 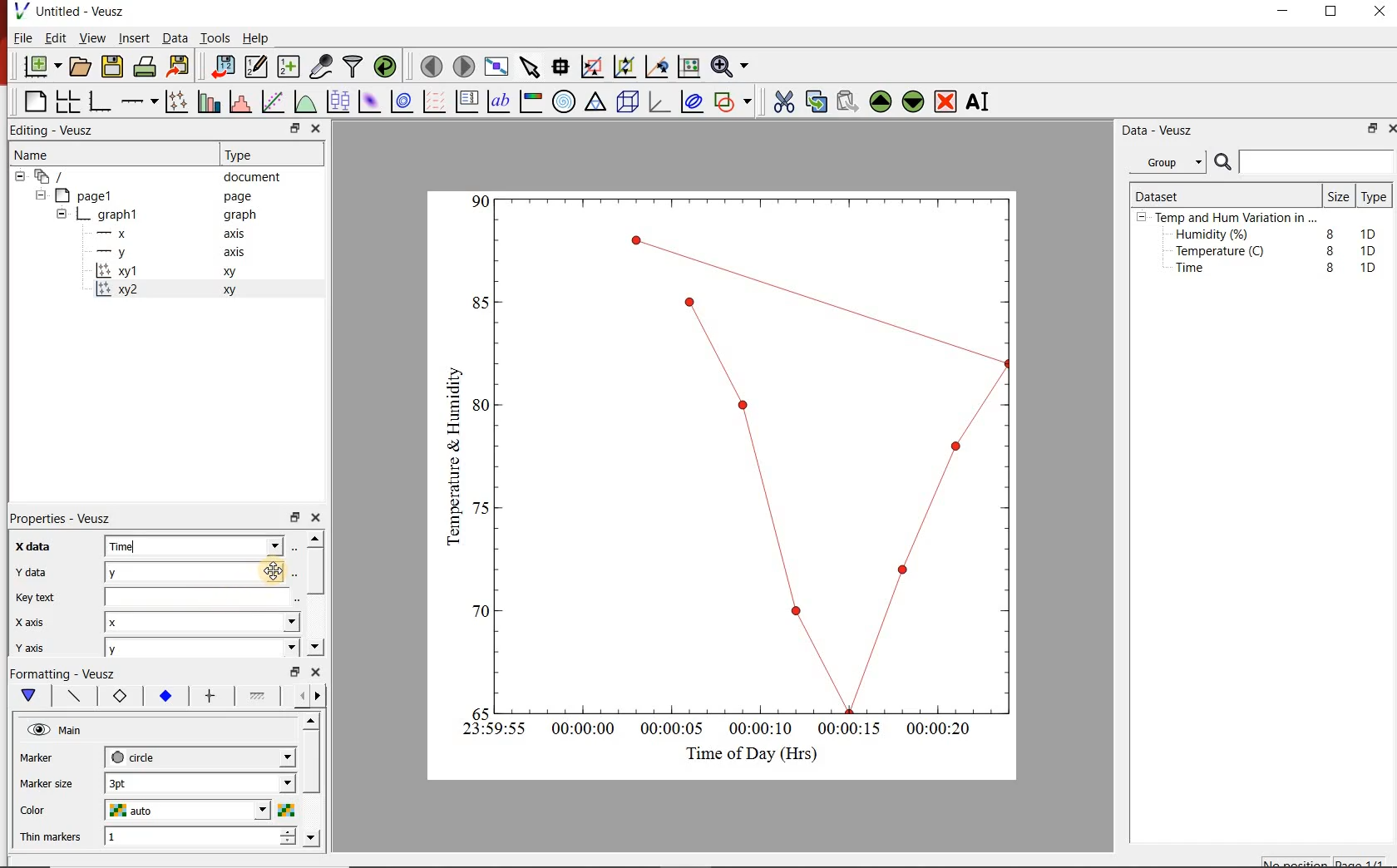 What do you see at coordinates (176, 100) in the screenshot?
I see `Plot points with lines and error bars` at bounding box center [176, 100].